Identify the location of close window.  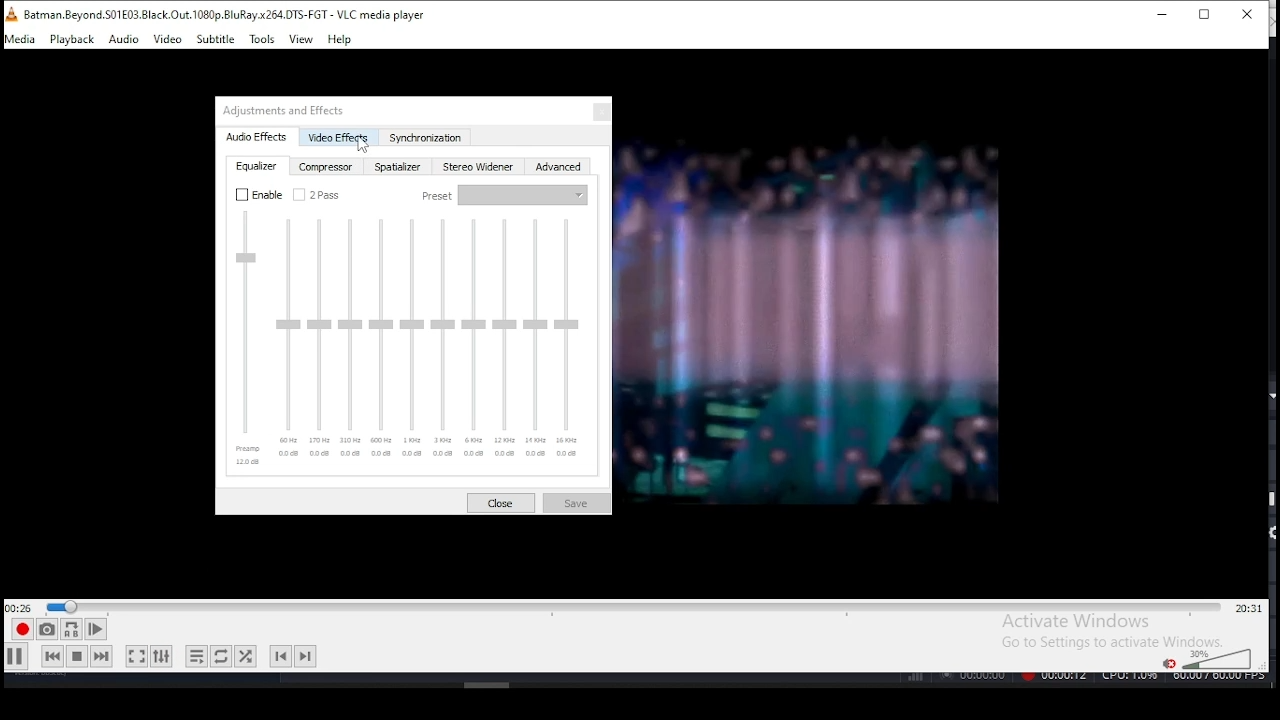
(1248, 16).